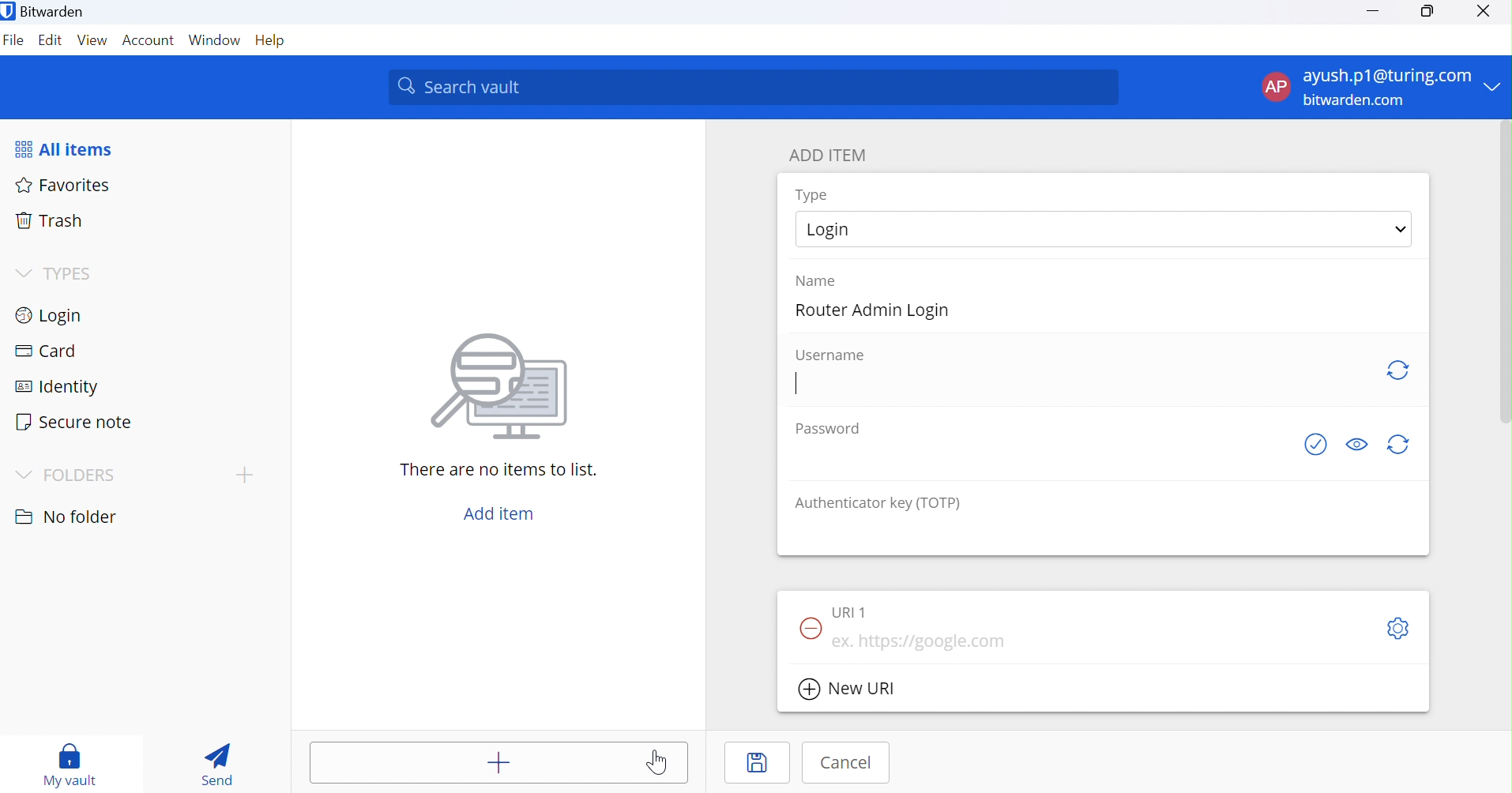  I want to click on Cancel, so click(846, 763).